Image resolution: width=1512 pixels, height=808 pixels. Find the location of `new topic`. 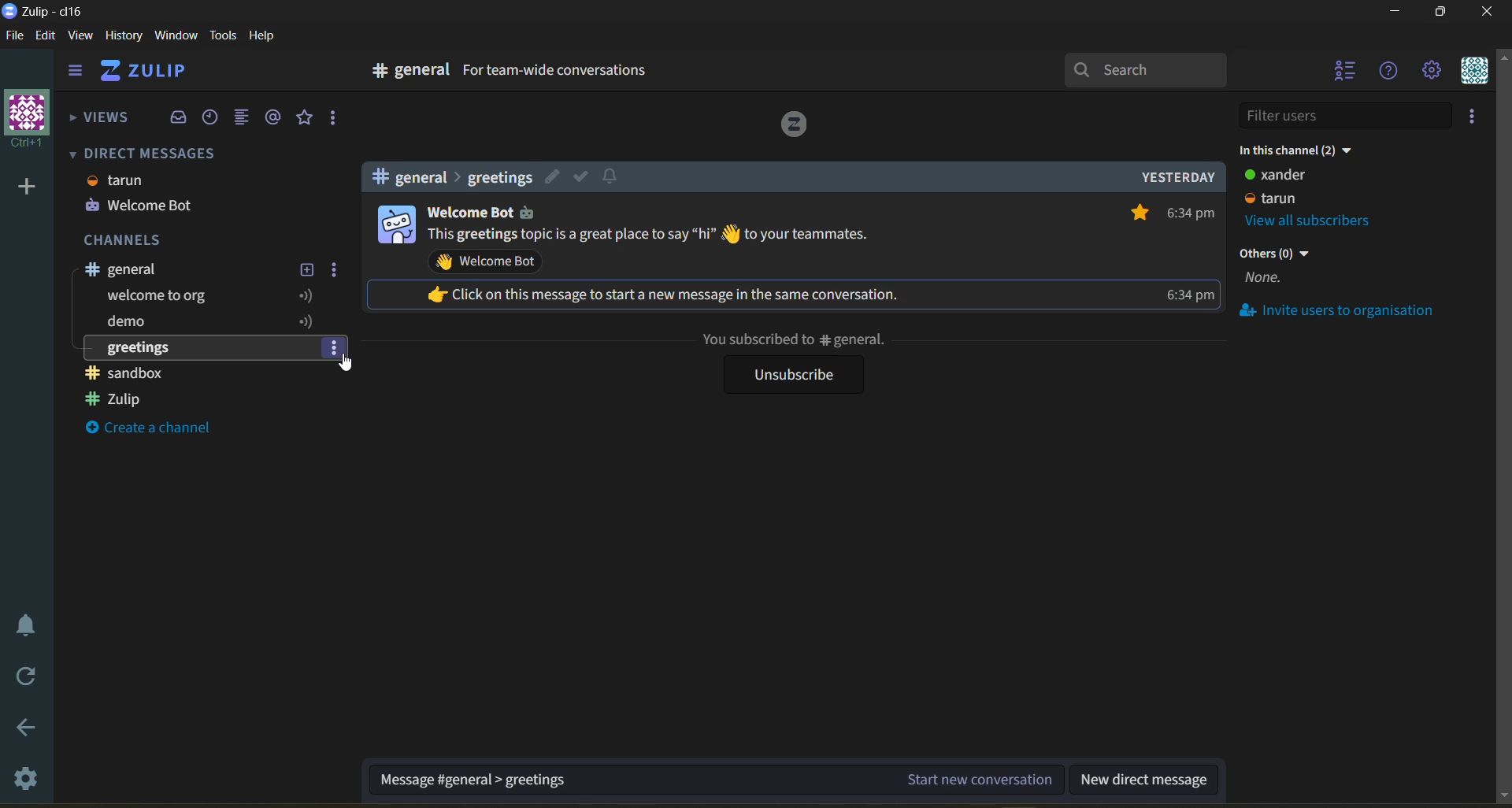

new topic is located at coordinates (306, 270).